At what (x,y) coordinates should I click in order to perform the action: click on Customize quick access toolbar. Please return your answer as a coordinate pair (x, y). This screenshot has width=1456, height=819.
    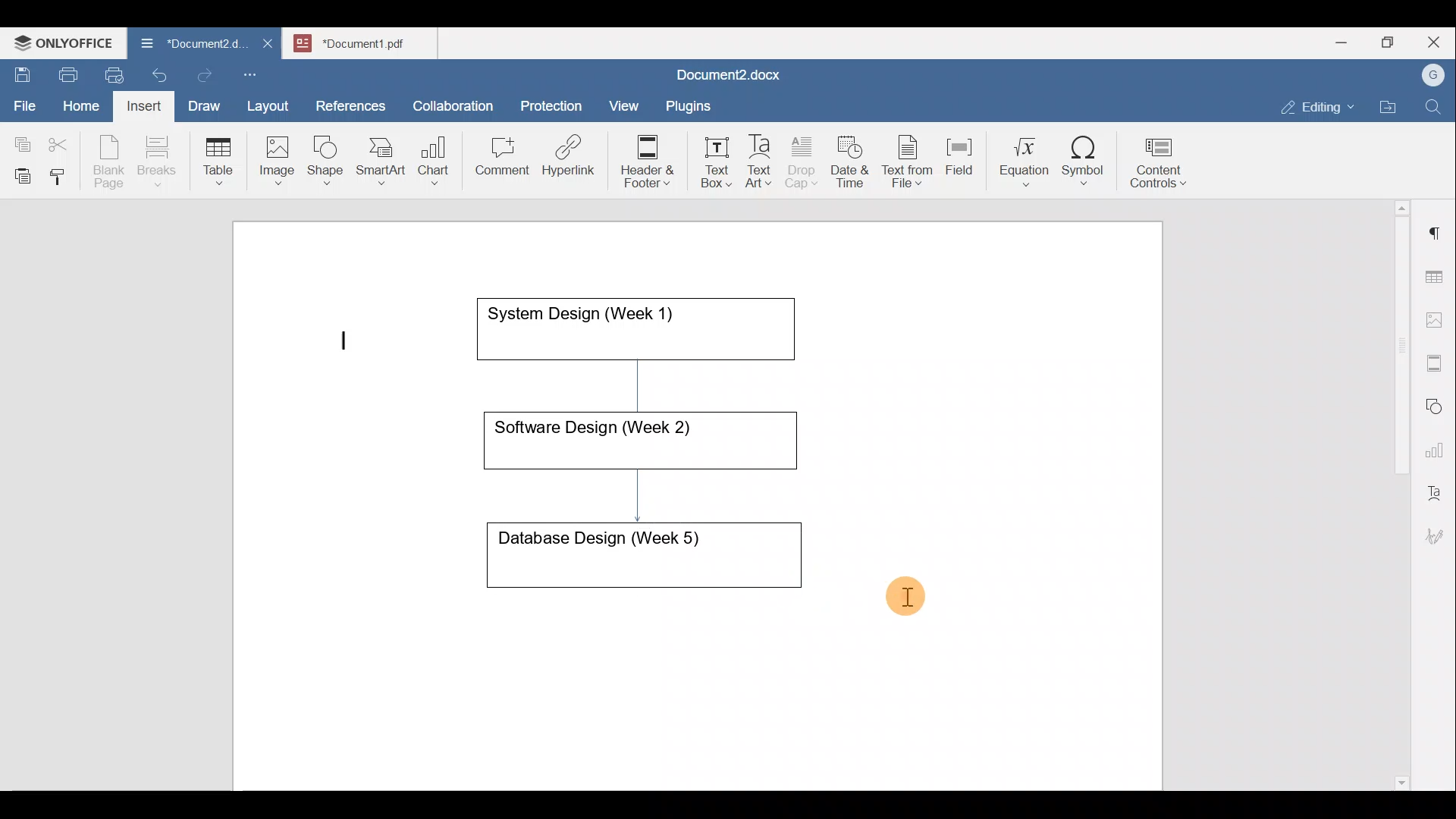
    Looking at the image, I should click on (256, 72).